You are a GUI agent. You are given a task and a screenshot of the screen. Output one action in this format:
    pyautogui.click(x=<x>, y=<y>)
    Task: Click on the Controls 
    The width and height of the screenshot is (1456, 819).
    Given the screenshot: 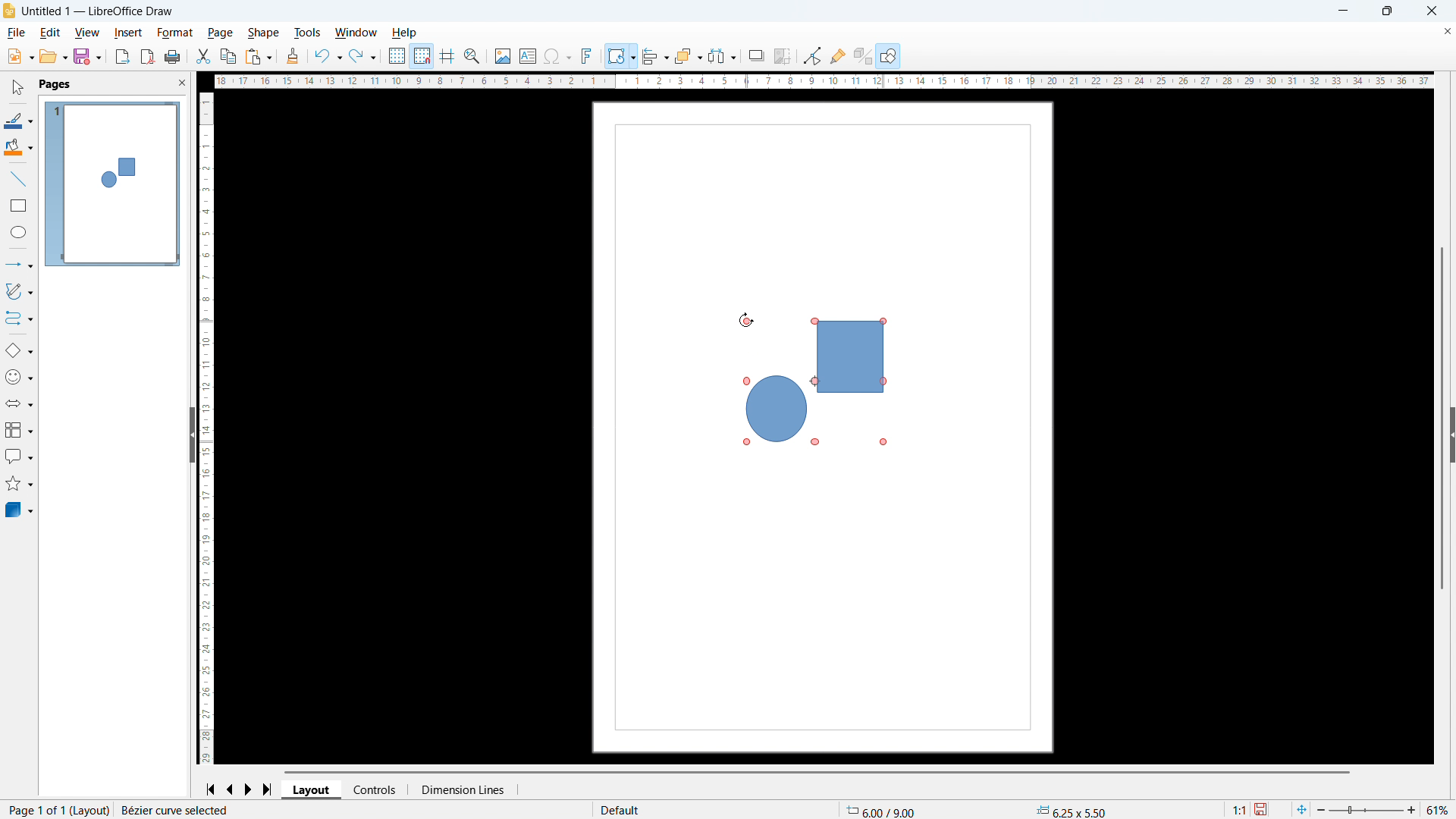 What is the action you would take?
    pyautogui.click(x=377, y=789)
    